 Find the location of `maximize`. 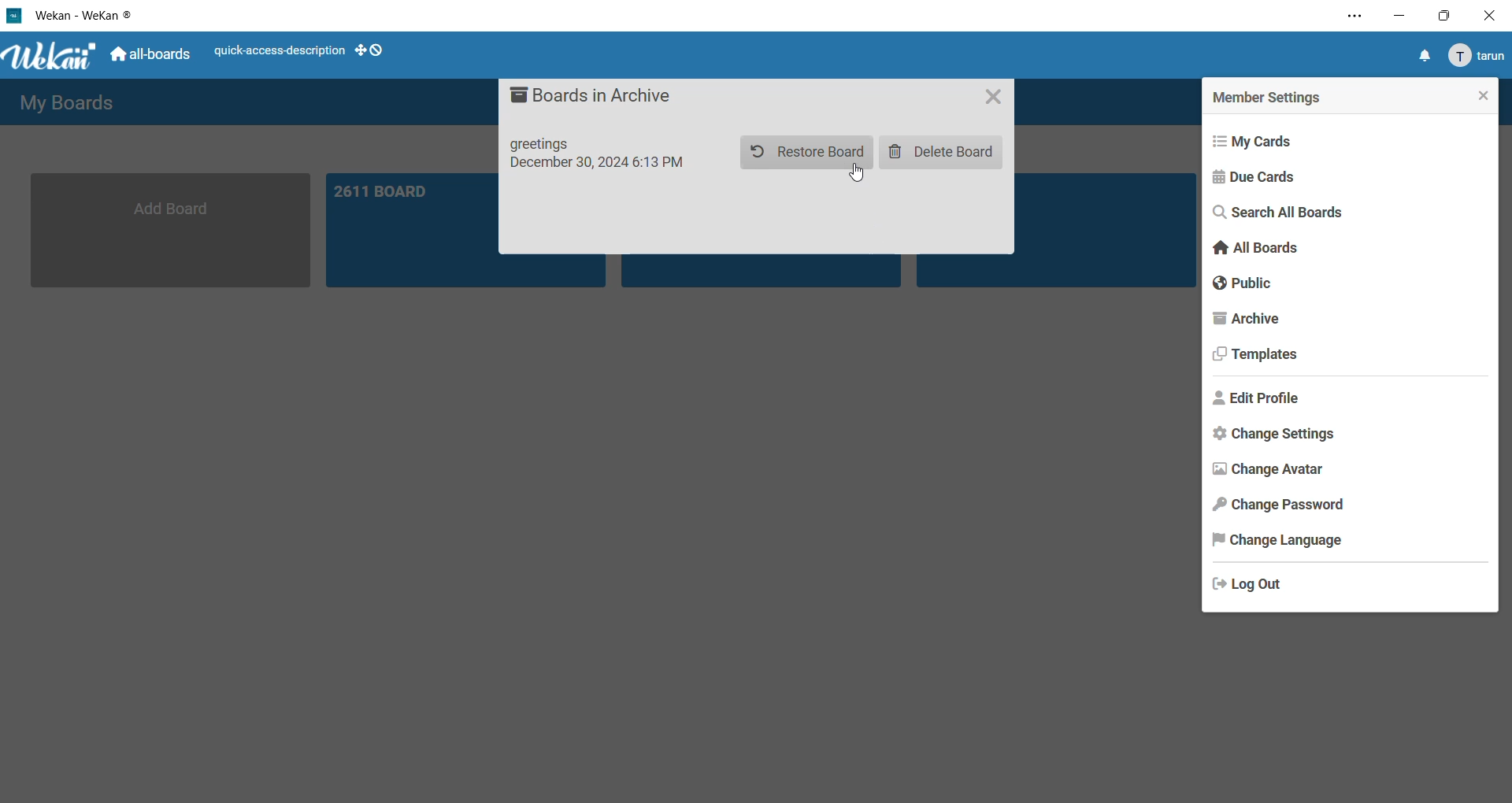

maximize is located at coordinates (1441, 18).